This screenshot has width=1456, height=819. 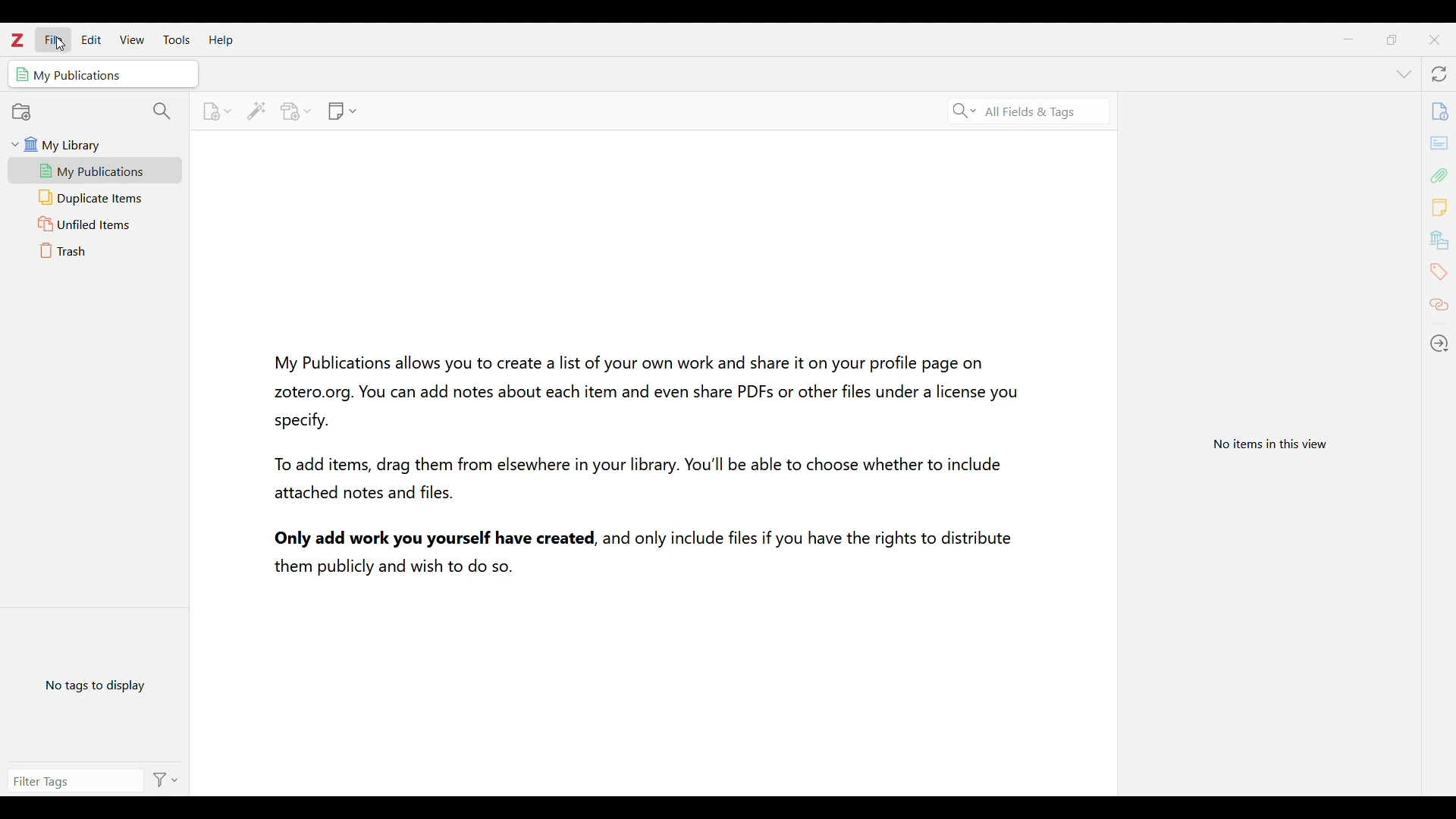 What do you see at coordinates (1440, 110) in the screenshot?
I see `Info` at bounding box center [1440, 110].